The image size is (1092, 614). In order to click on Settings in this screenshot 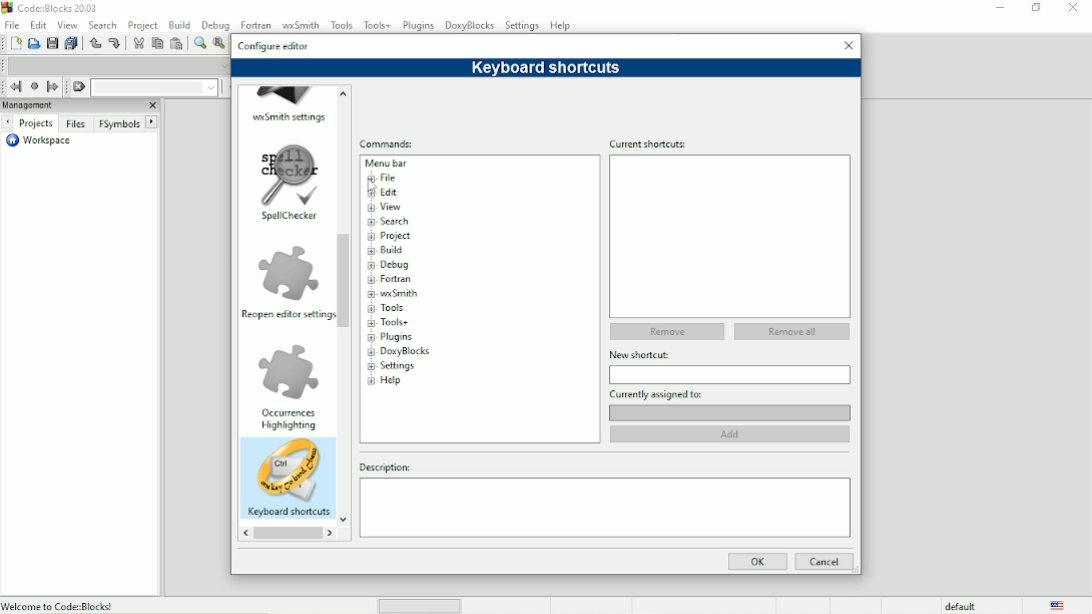, I will do `click(523, 25)`.